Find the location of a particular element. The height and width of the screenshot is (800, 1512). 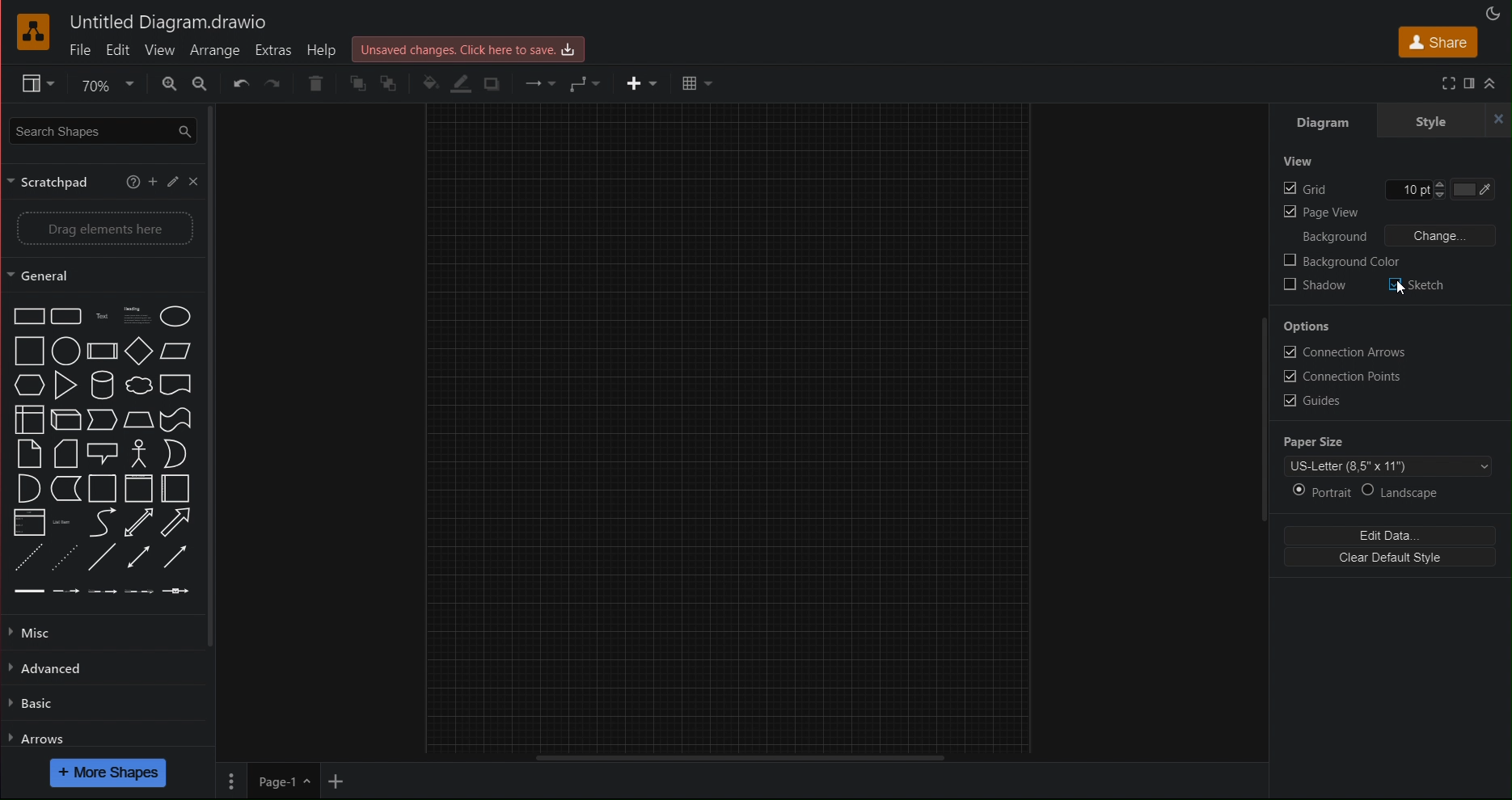

Insert is located at coordinates (637, 82).